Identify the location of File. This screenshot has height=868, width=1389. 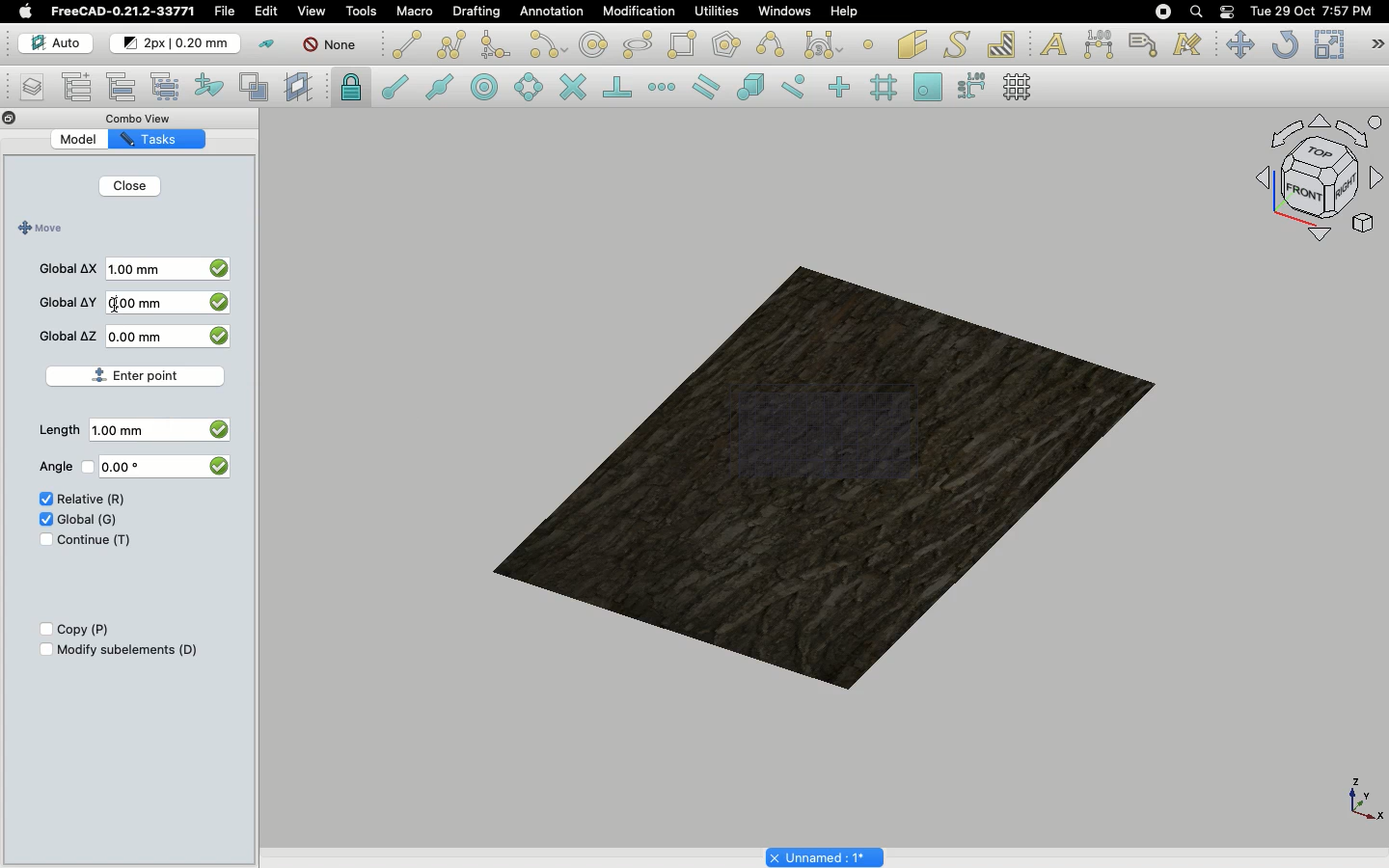
(225, 12).